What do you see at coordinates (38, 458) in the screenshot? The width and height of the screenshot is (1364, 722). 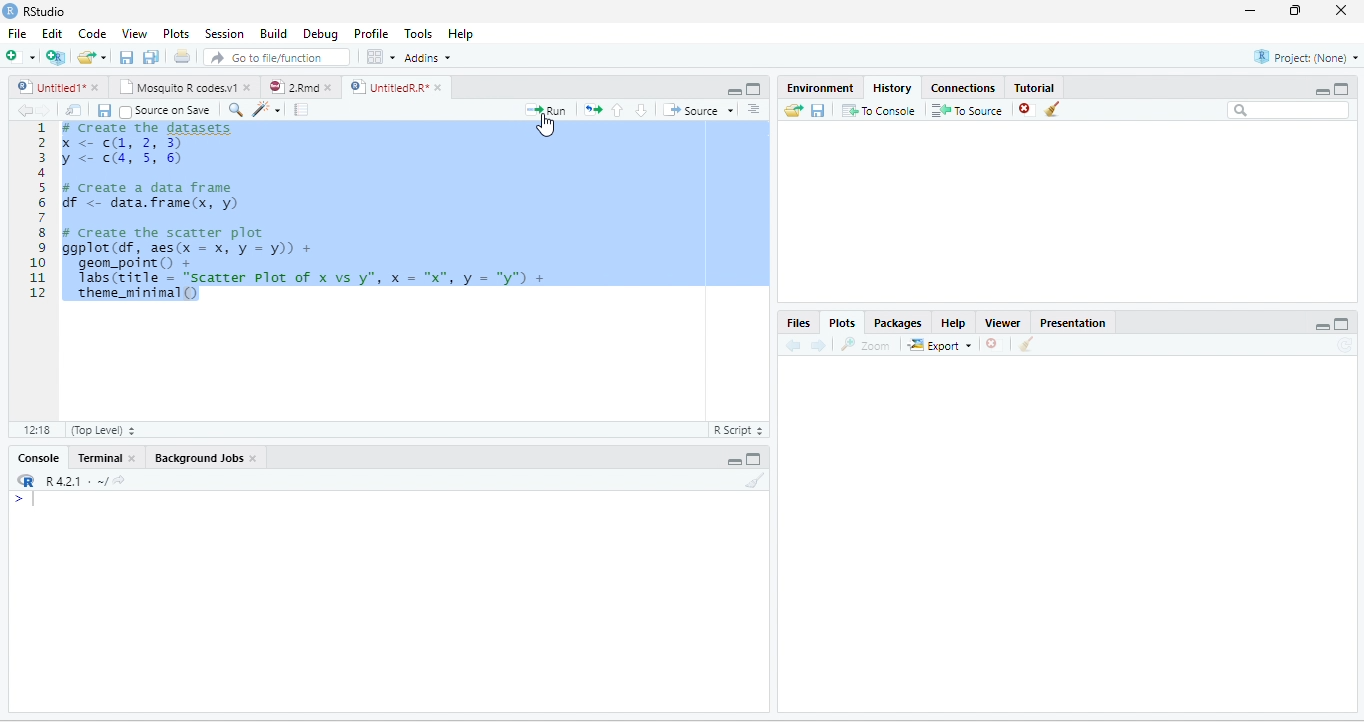 I see `Console` at bounding box center [38, 458].